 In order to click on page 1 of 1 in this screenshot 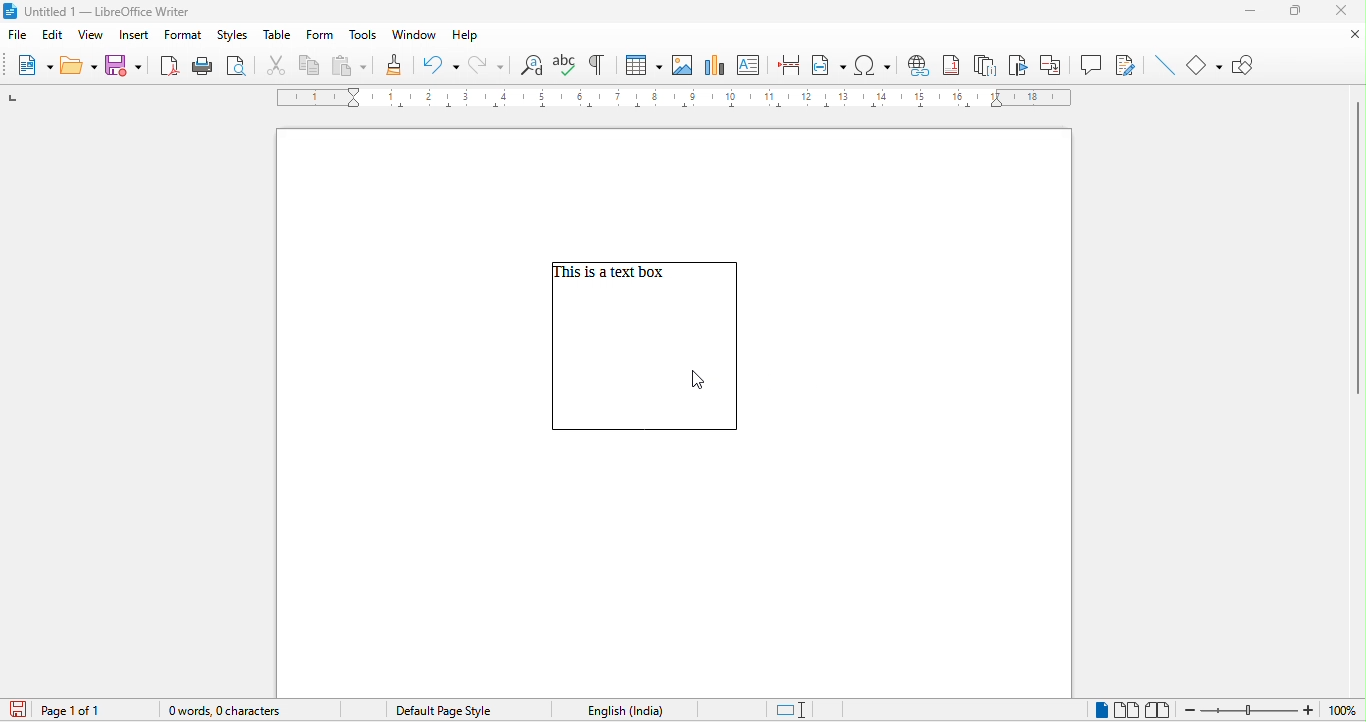, I will do `click(82, 710)`.